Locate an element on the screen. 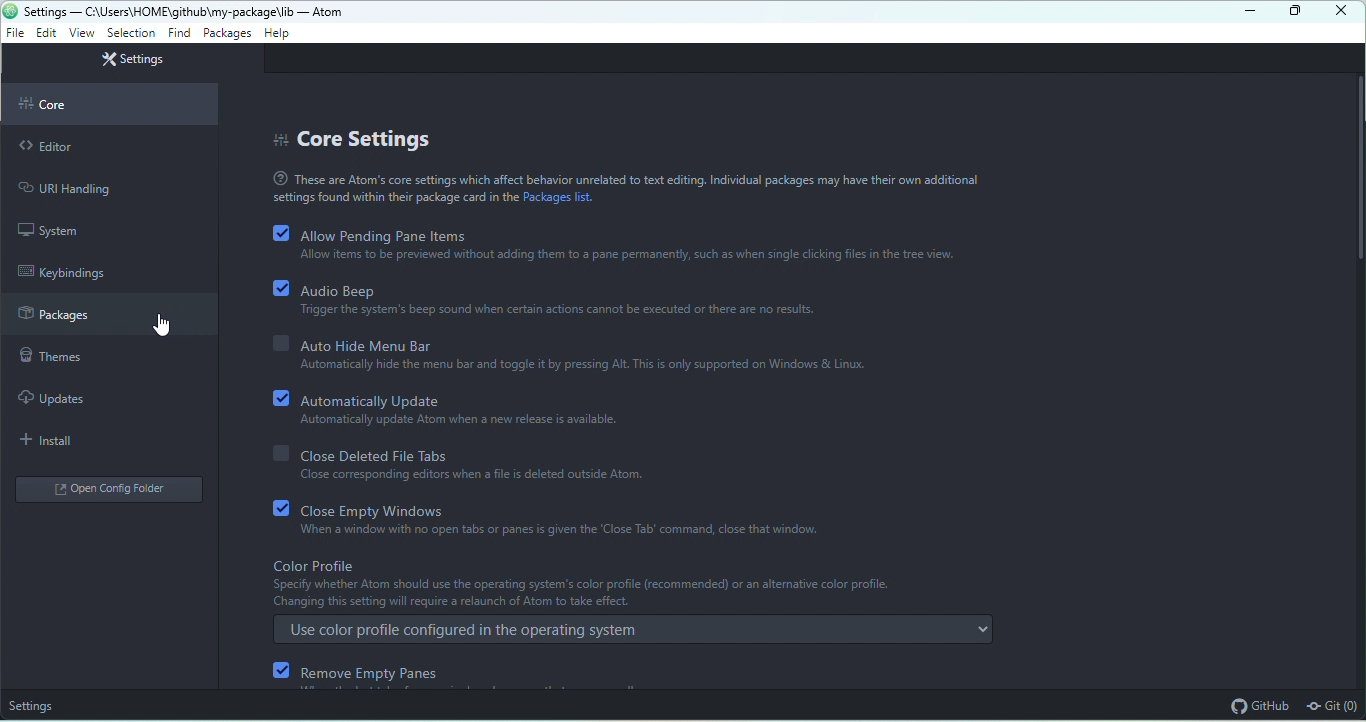  system is located at coordinates (62, 231).